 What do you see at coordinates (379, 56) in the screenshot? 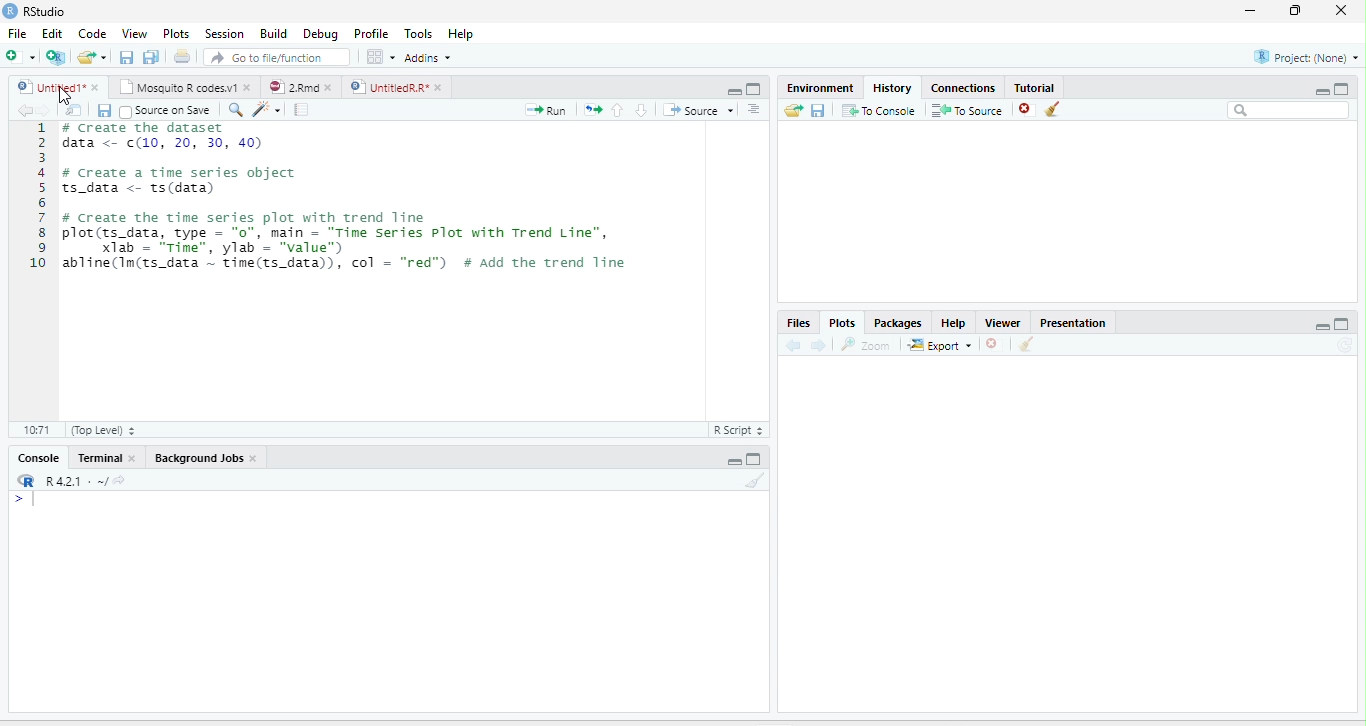
I see `Workspace panes` at bounding box center [379, 56].